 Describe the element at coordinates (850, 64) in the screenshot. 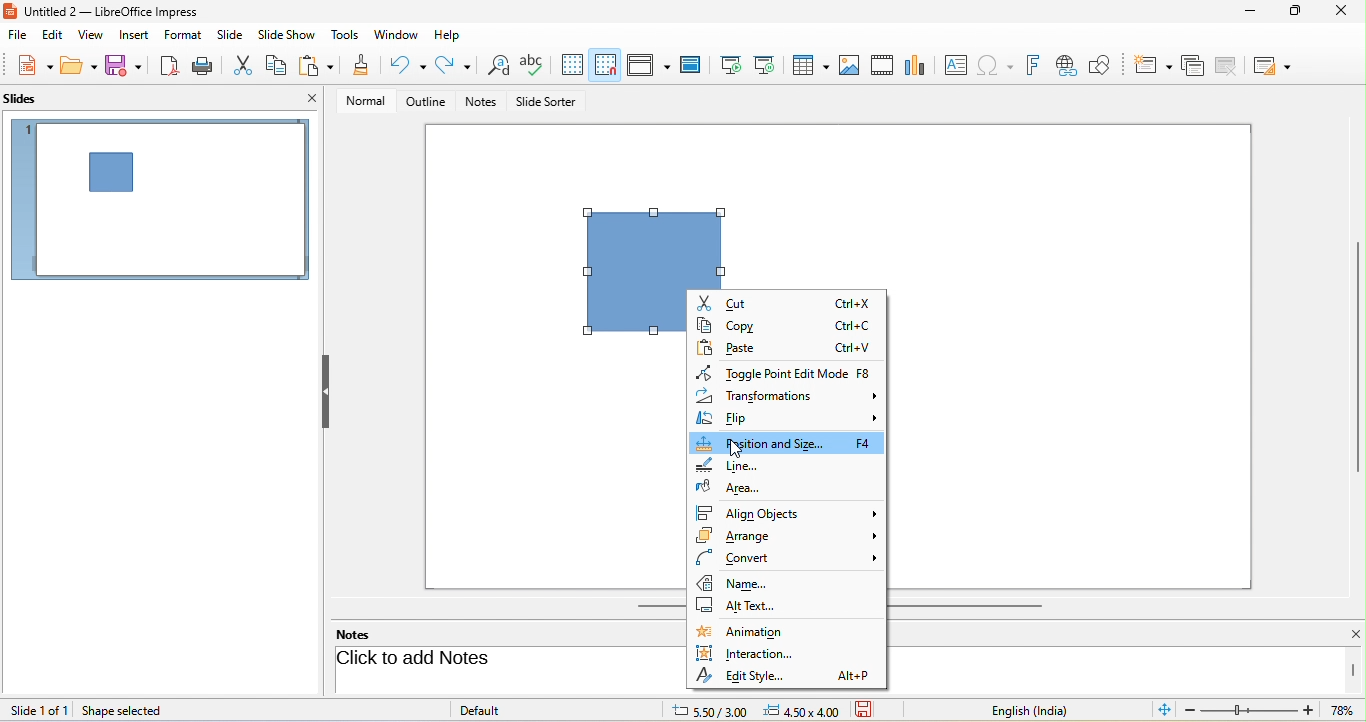

I see `image` at that location.